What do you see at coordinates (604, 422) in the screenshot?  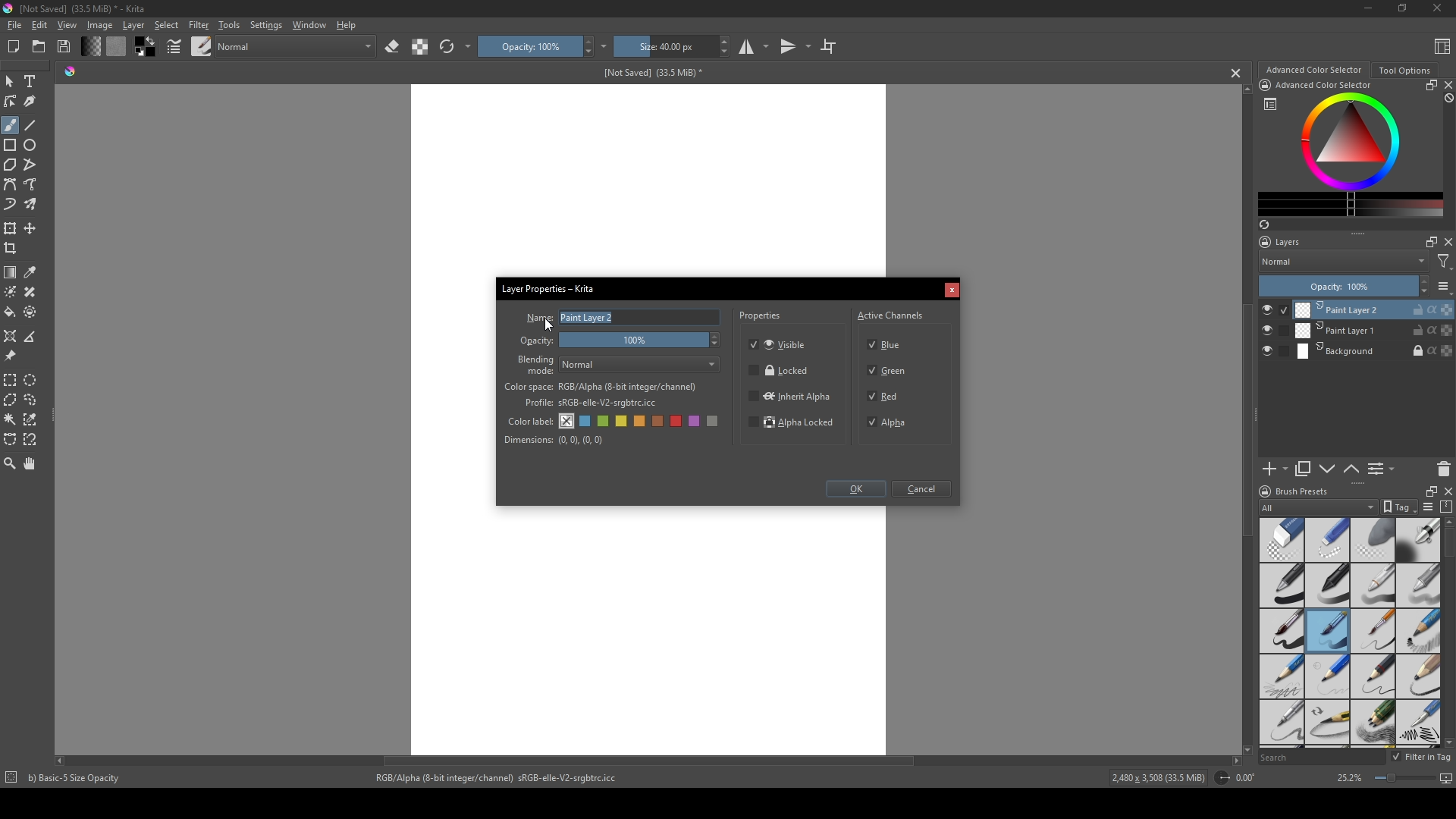 I see `green` at bounding box center [604, 422].